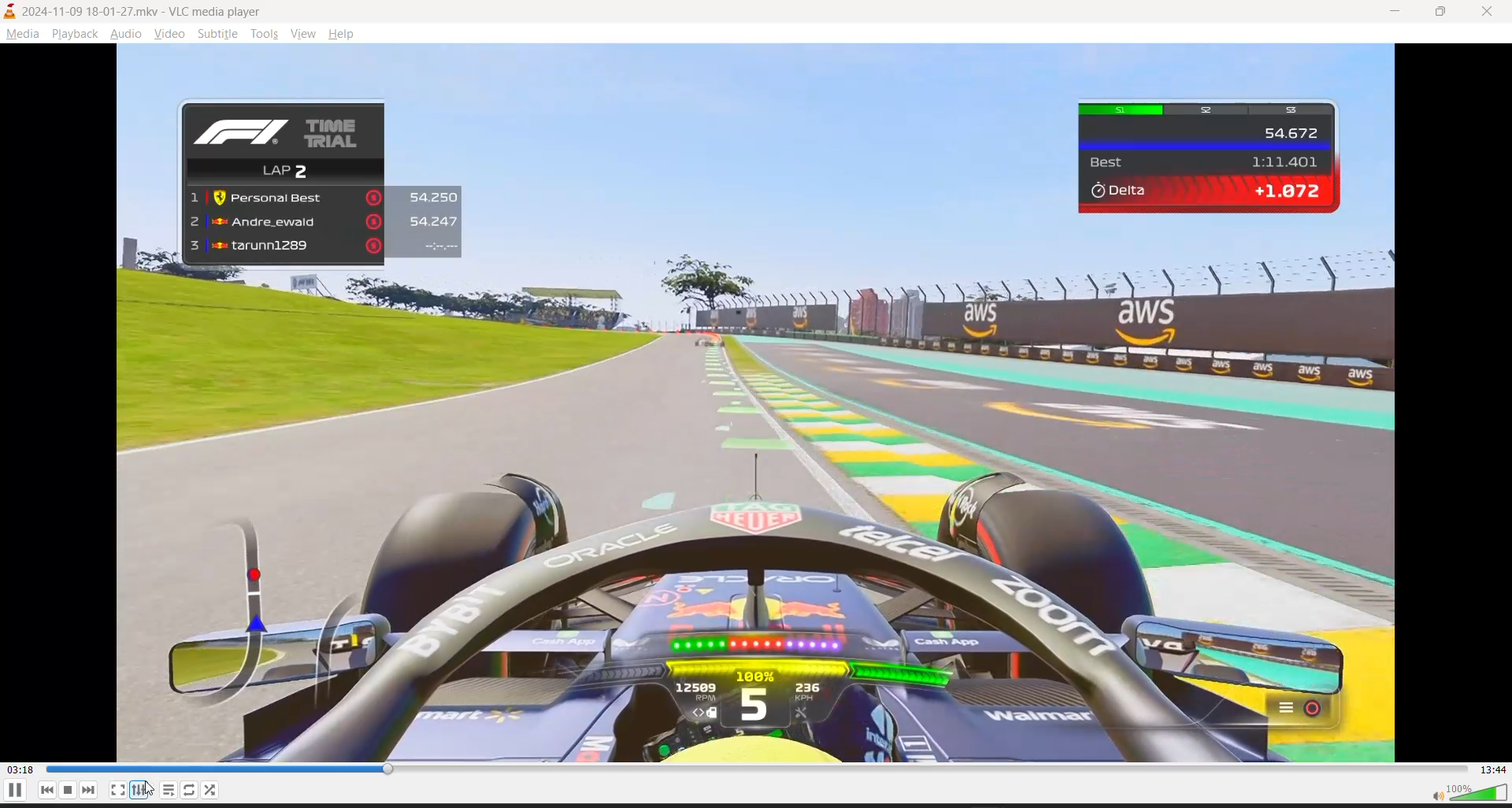 The width and height of the screenshot is (1512, 808). What do you see at coordinates (758, 769) in the screenshot?
I see `track slider` at bounding box center [758, 769].